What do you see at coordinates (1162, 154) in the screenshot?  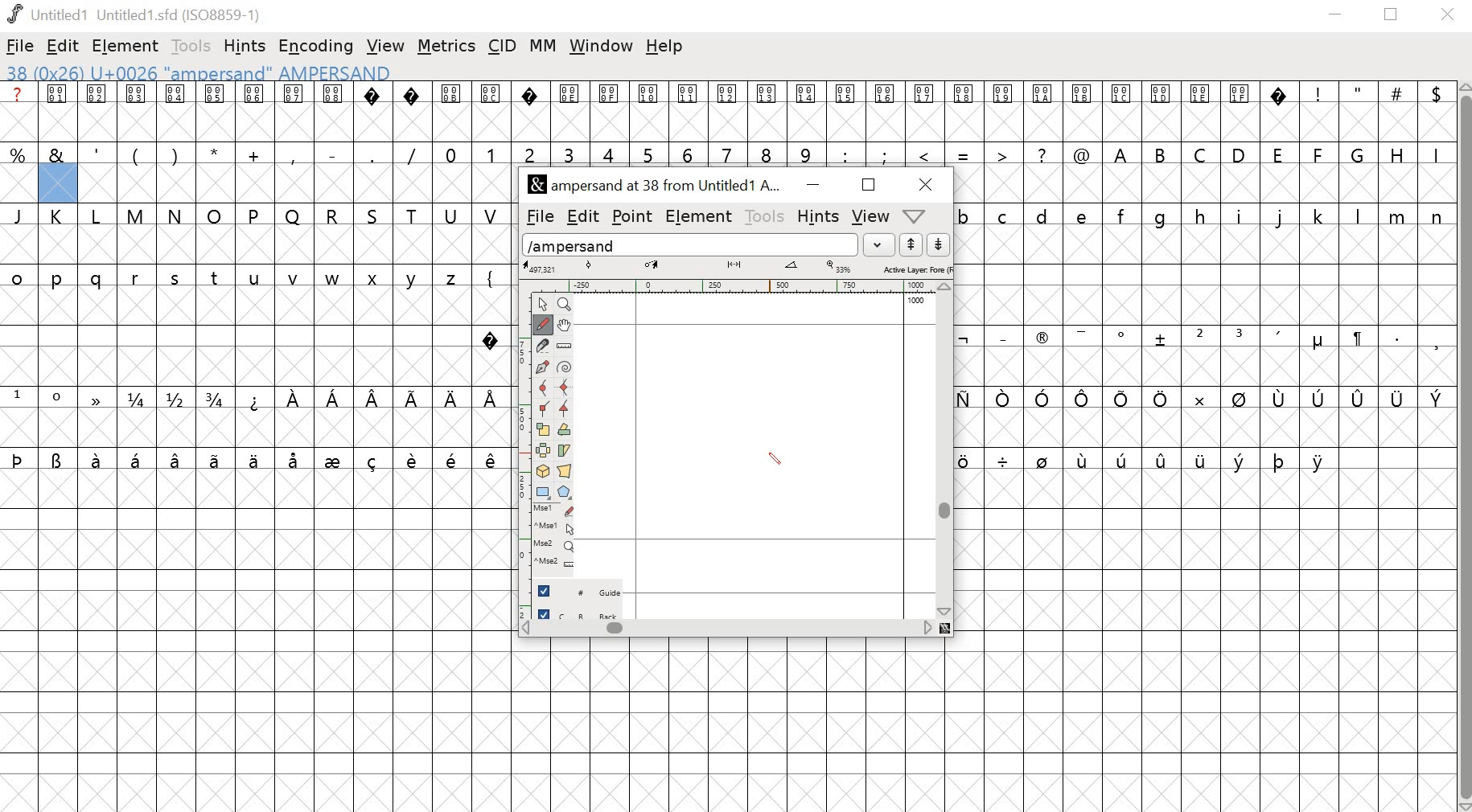 I see `B` at bounding box center [1162, 154].